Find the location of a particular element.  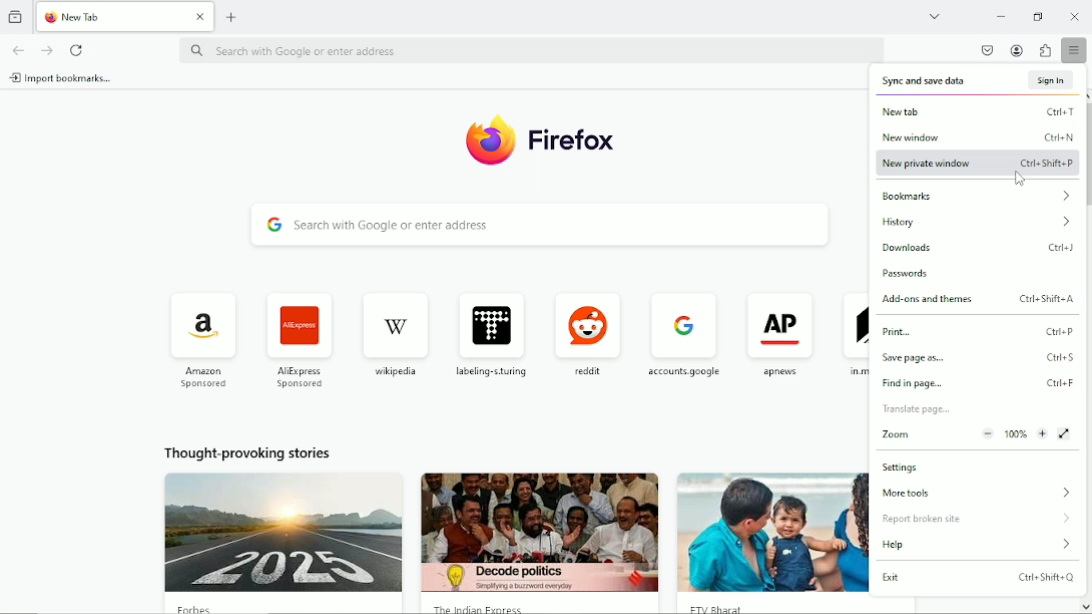

AliExpress is located at coordinates (299, 338).